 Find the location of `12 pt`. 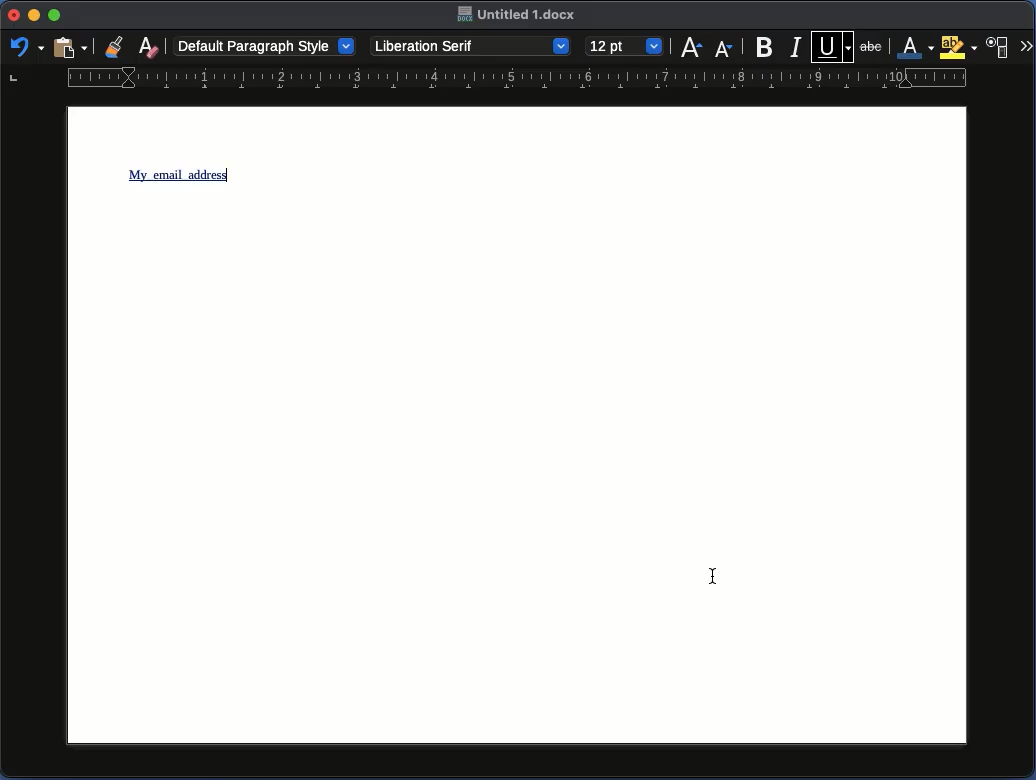

12 pt is located at coordinates (625, 45).